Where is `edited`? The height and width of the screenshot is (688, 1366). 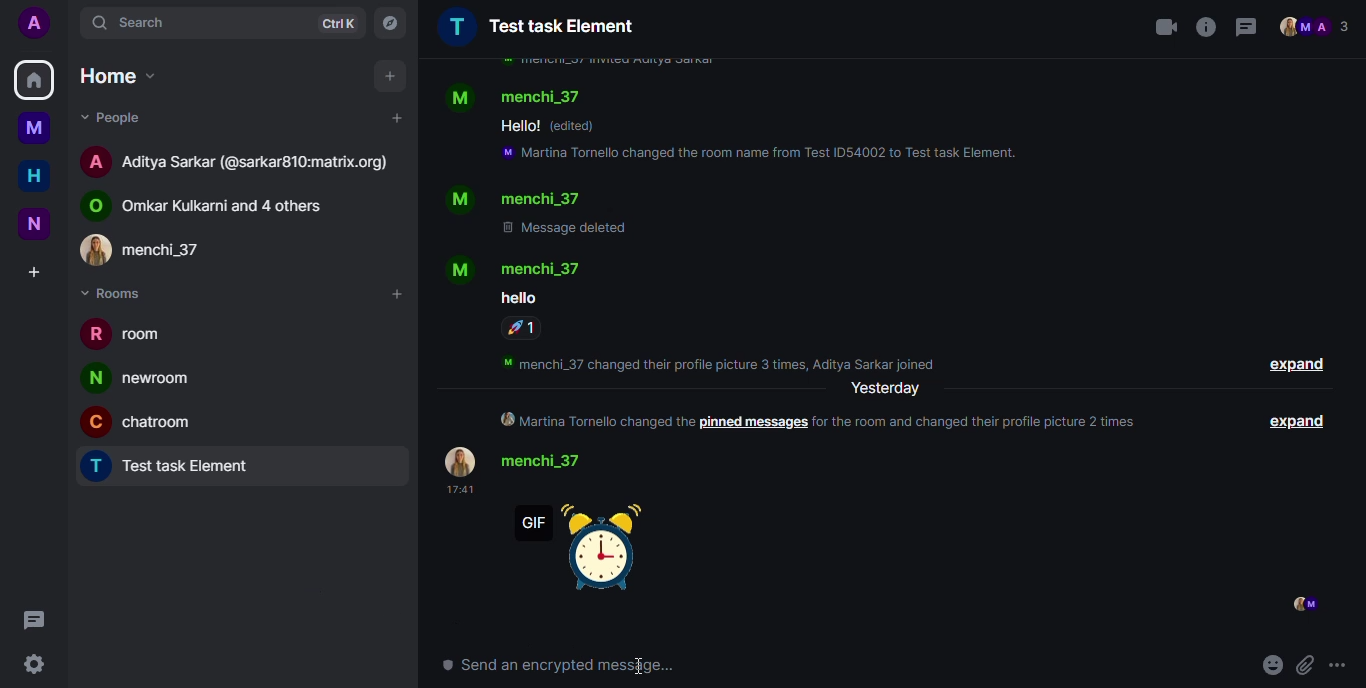 edited is located at coordinates (577, 126).